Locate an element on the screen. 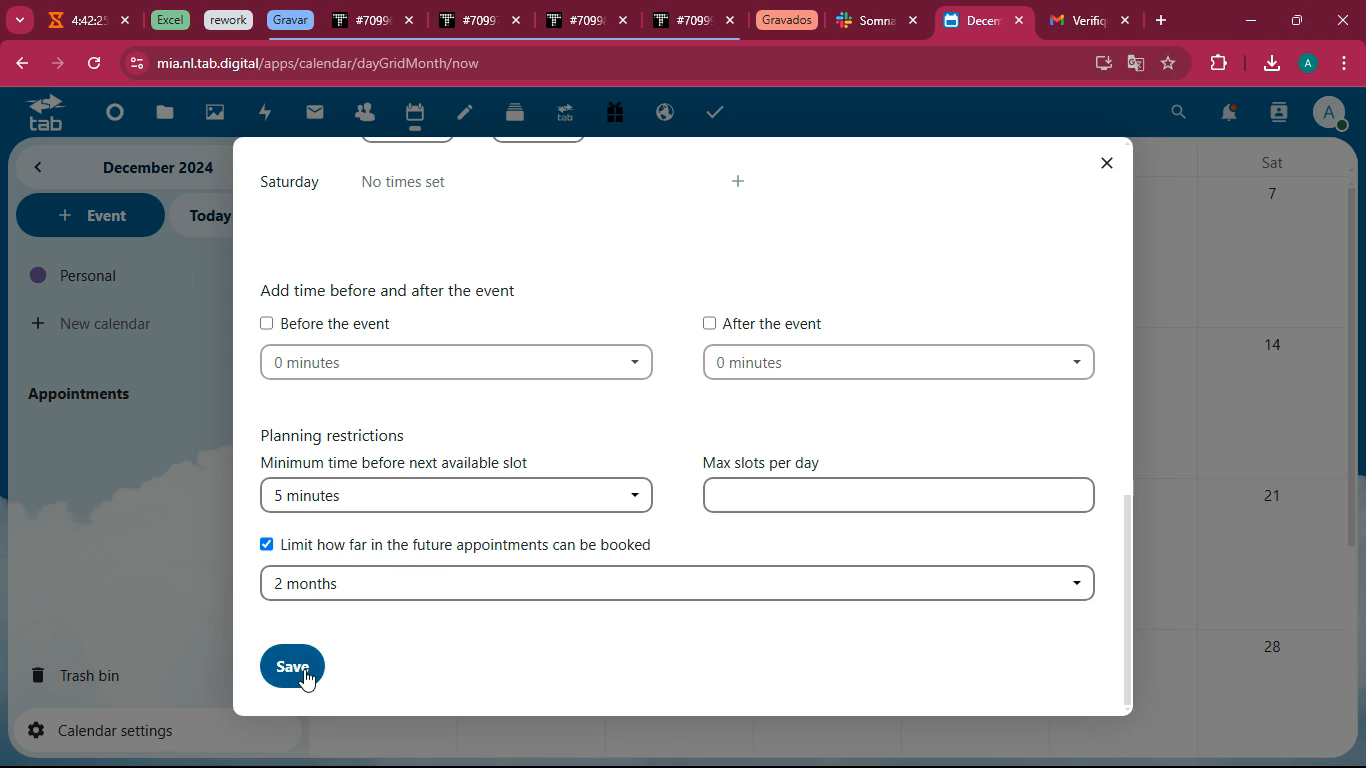 The image size is (1366, 768). 2 months is located at coordinates (676, 583).